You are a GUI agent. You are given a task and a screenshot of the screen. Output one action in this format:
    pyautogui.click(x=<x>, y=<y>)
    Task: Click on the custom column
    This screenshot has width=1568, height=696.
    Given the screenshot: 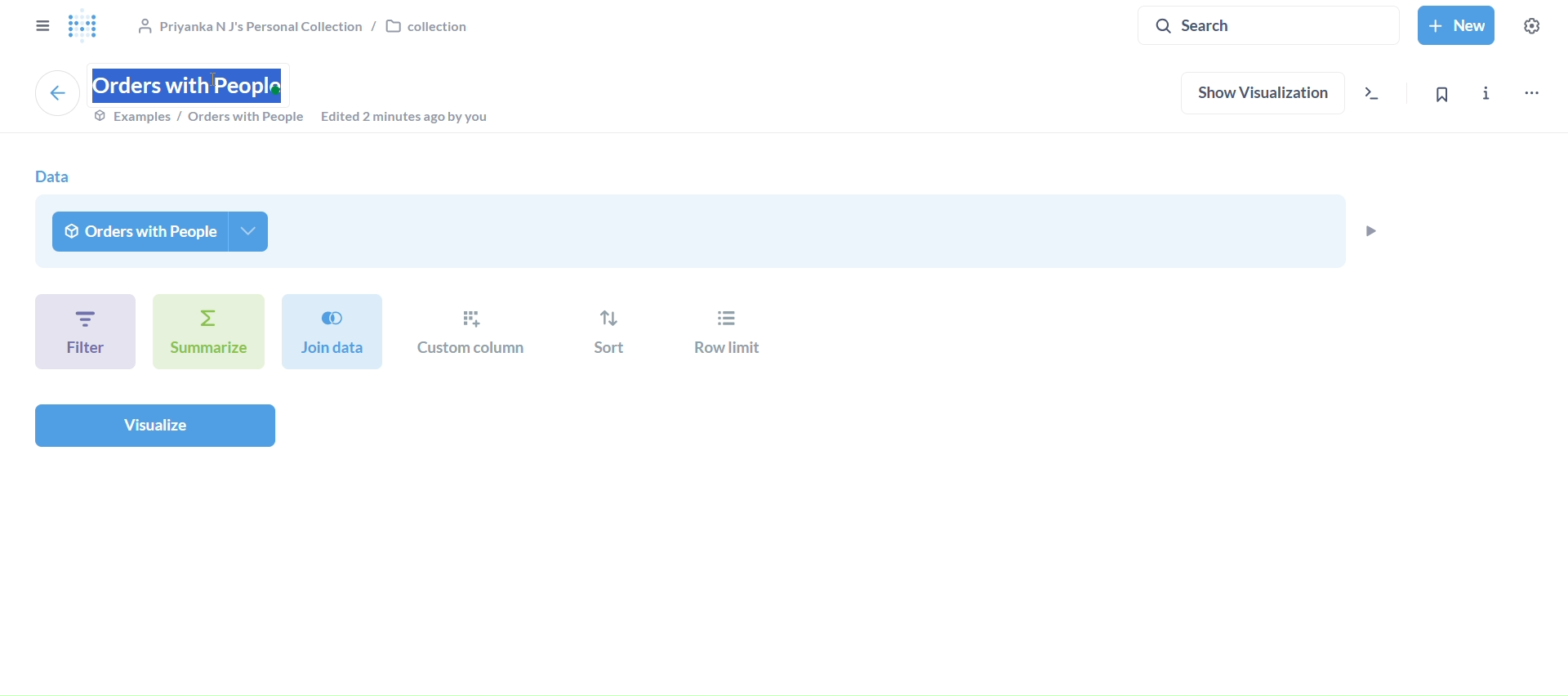 What is the action you would take?
    pyautogui.click(x=474, y=332)
    